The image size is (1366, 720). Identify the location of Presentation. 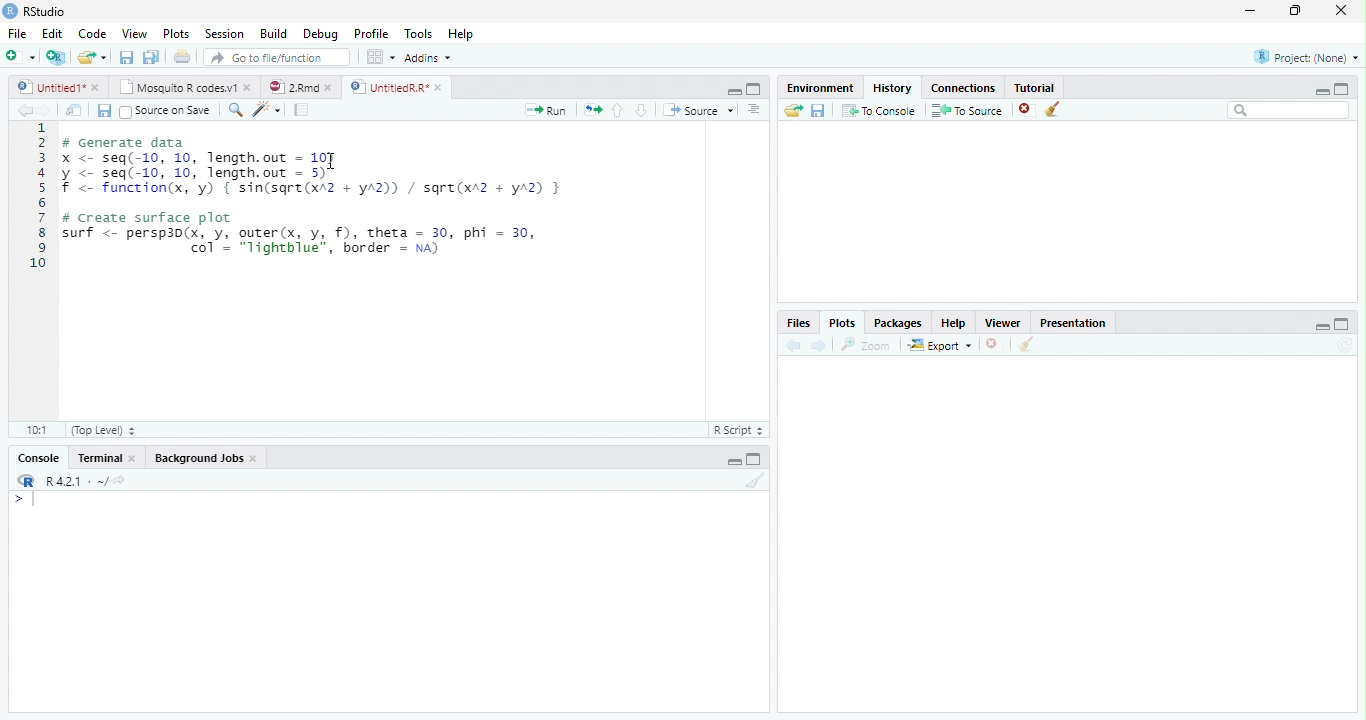
(1073, 322).